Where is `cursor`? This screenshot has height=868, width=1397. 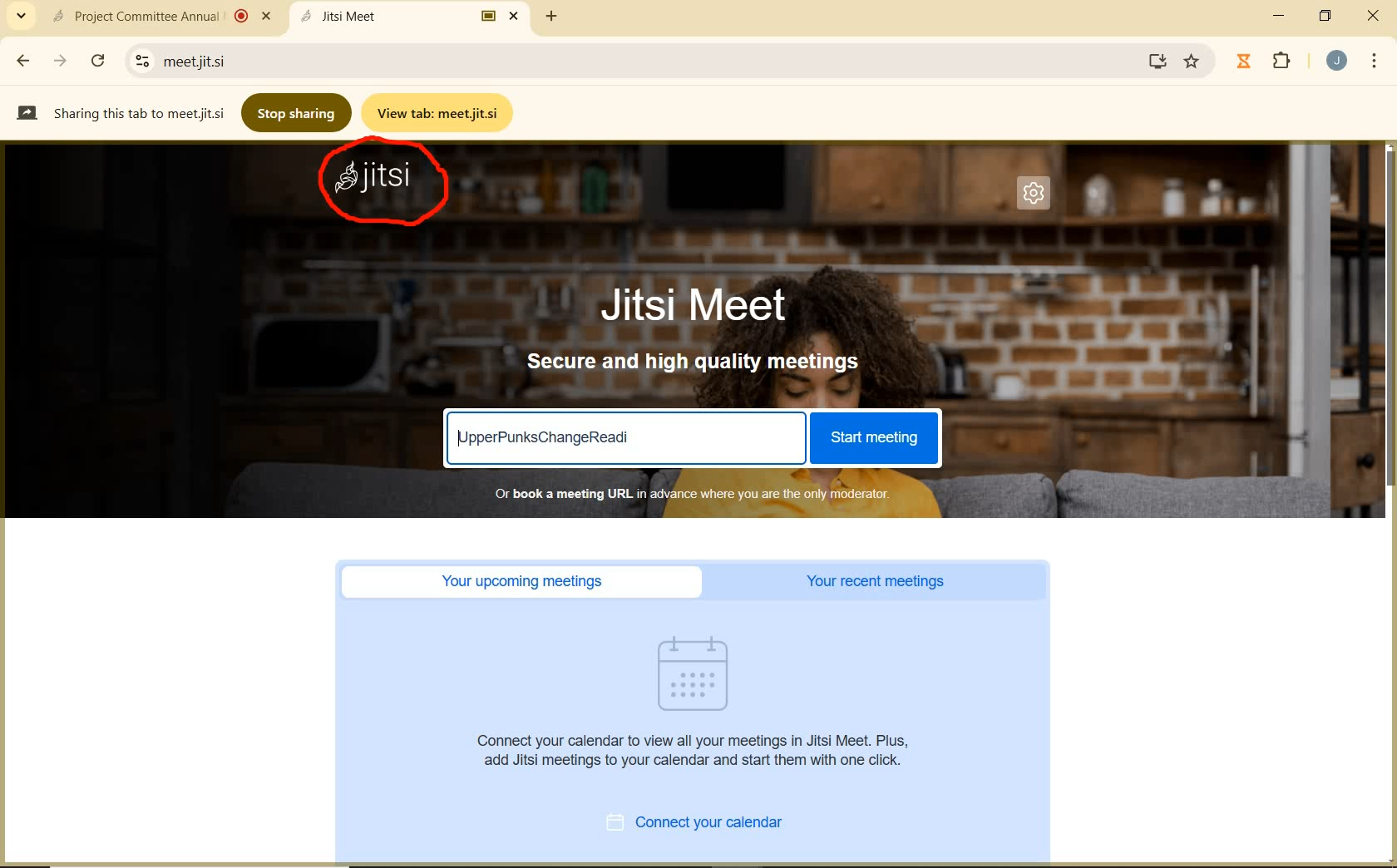
cursor is located at coordinates (866, 645).